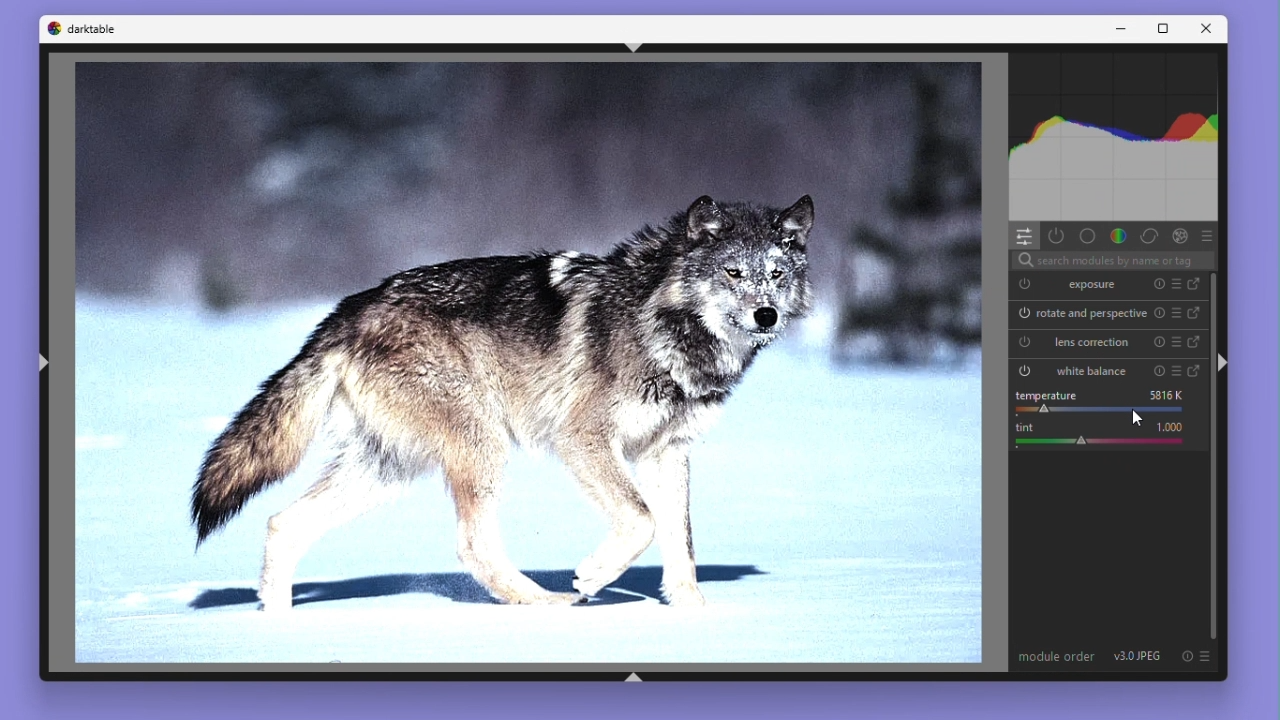  I want to click on White balance, so click(1075, 369).